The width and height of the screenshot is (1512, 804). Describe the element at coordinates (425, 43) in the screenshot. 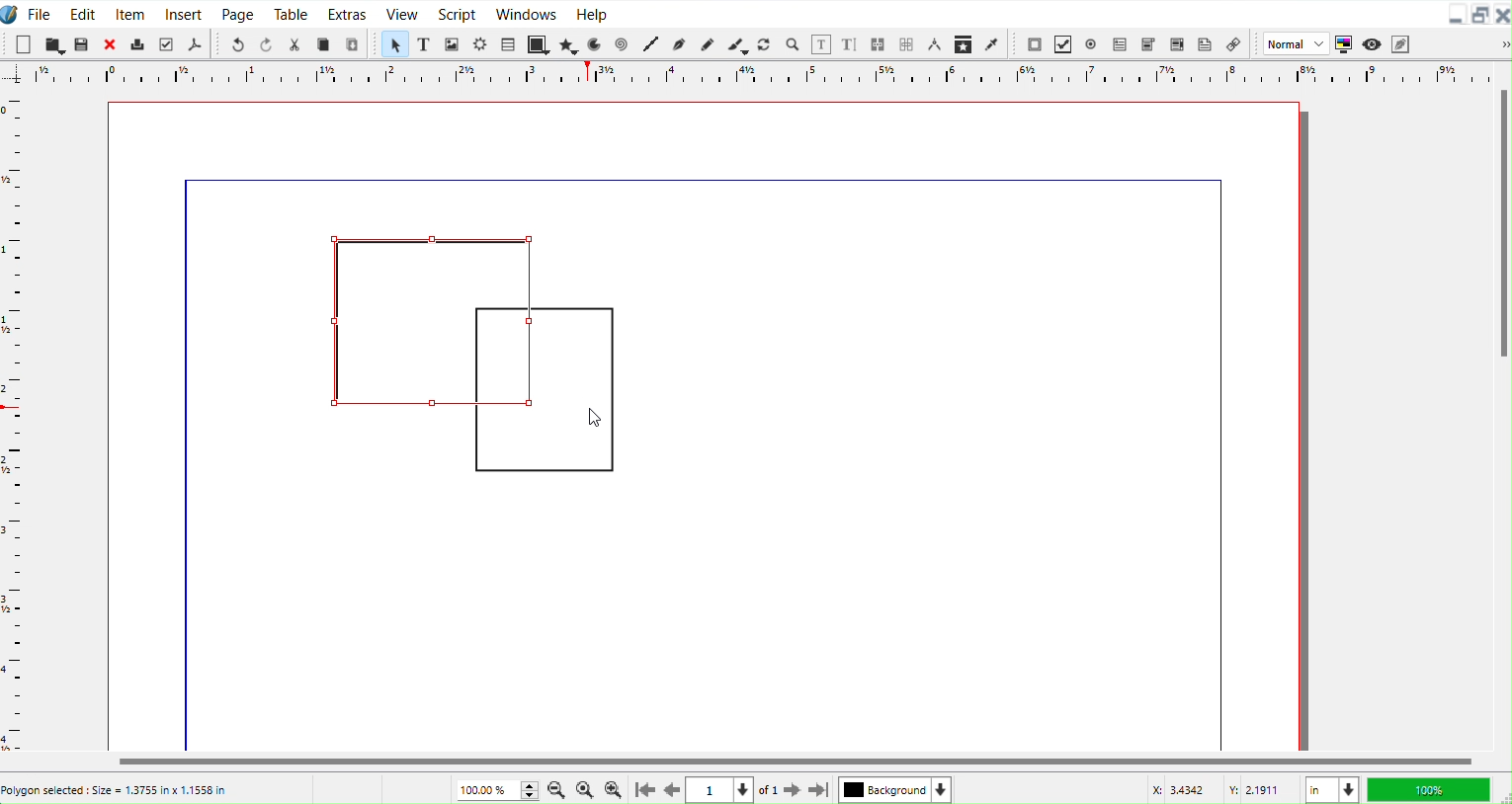

I see `Text Frame` at that location.